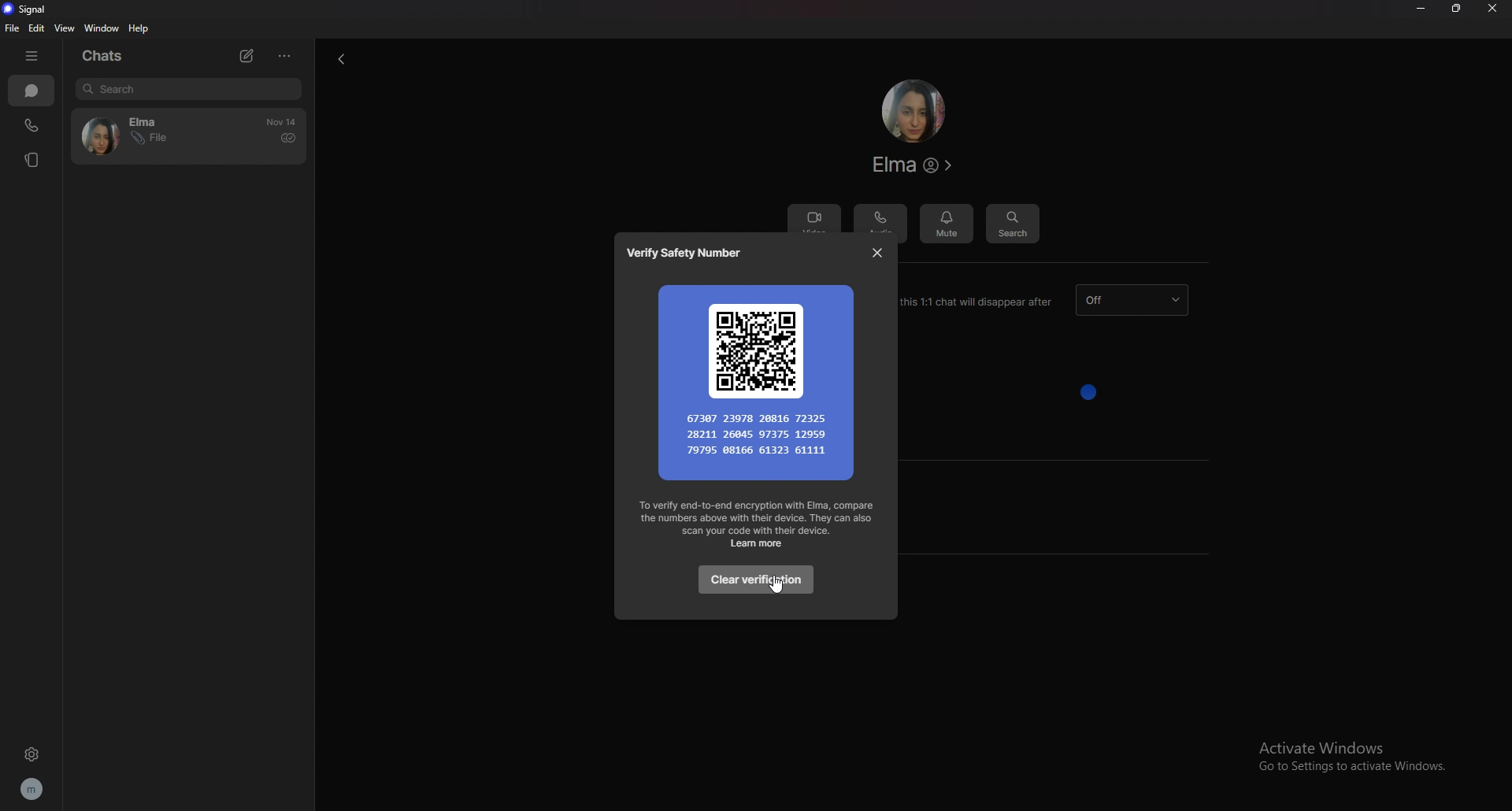 This screenshot has height=811, width=1512. Describe the element at coordinates (287, 138) in the screenshot. I see `delivered` at that location.